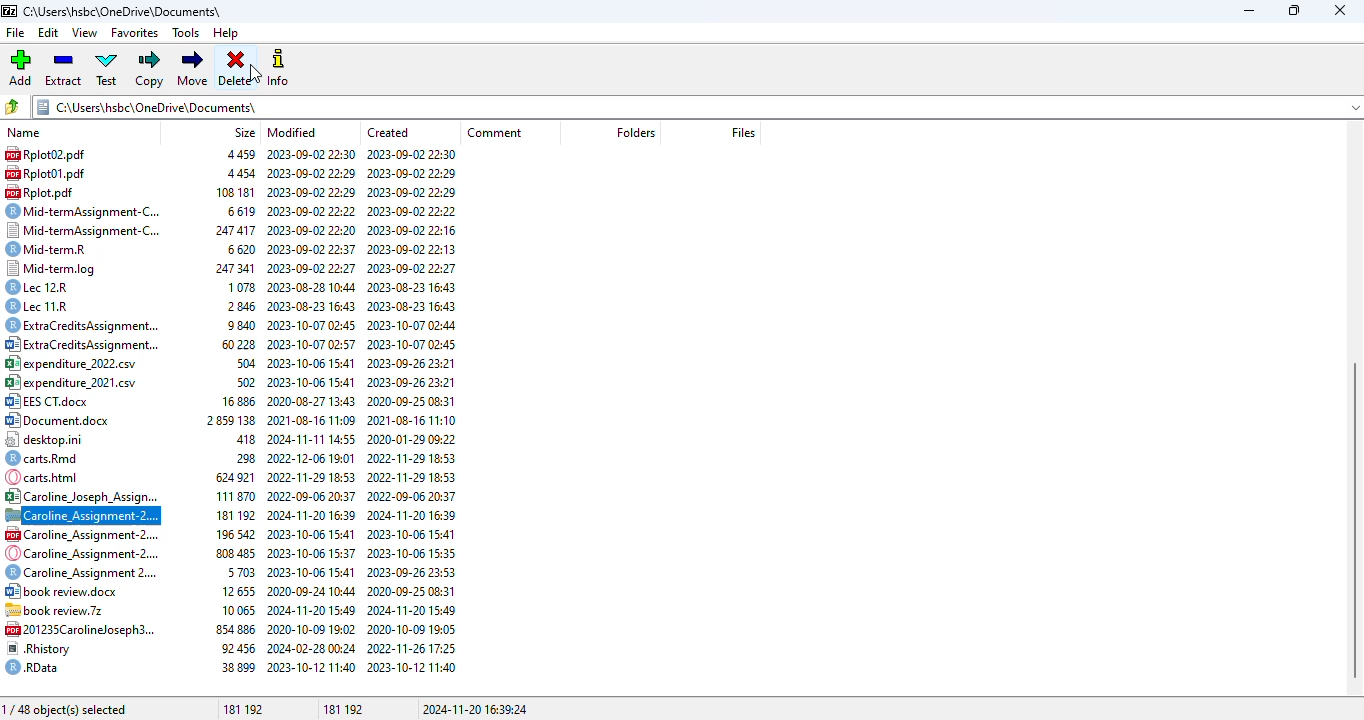  I want to click on  Mid-term.R, so click(59, 247).